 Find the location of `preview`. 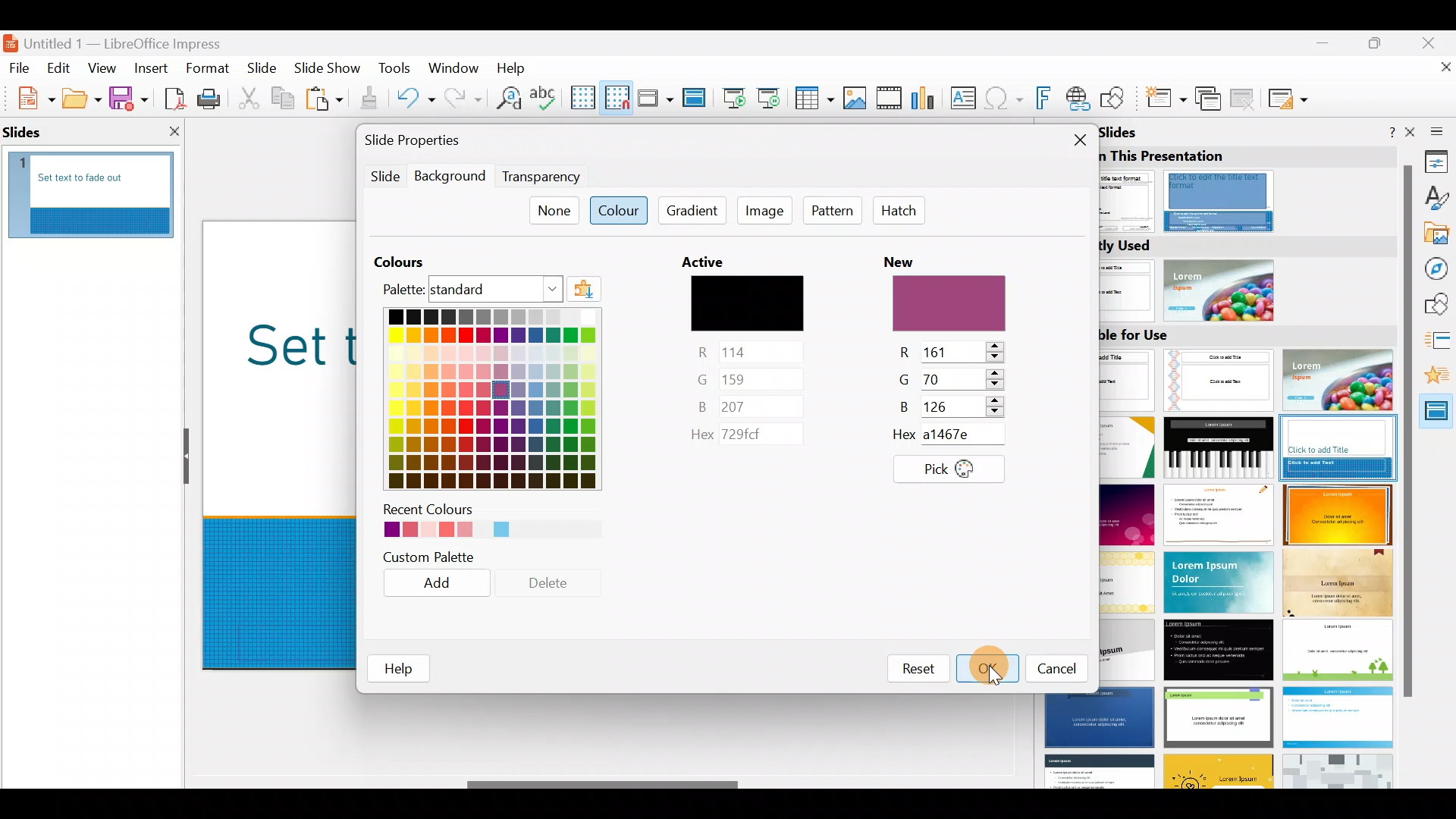

preview is located at coordinates (749, 303).